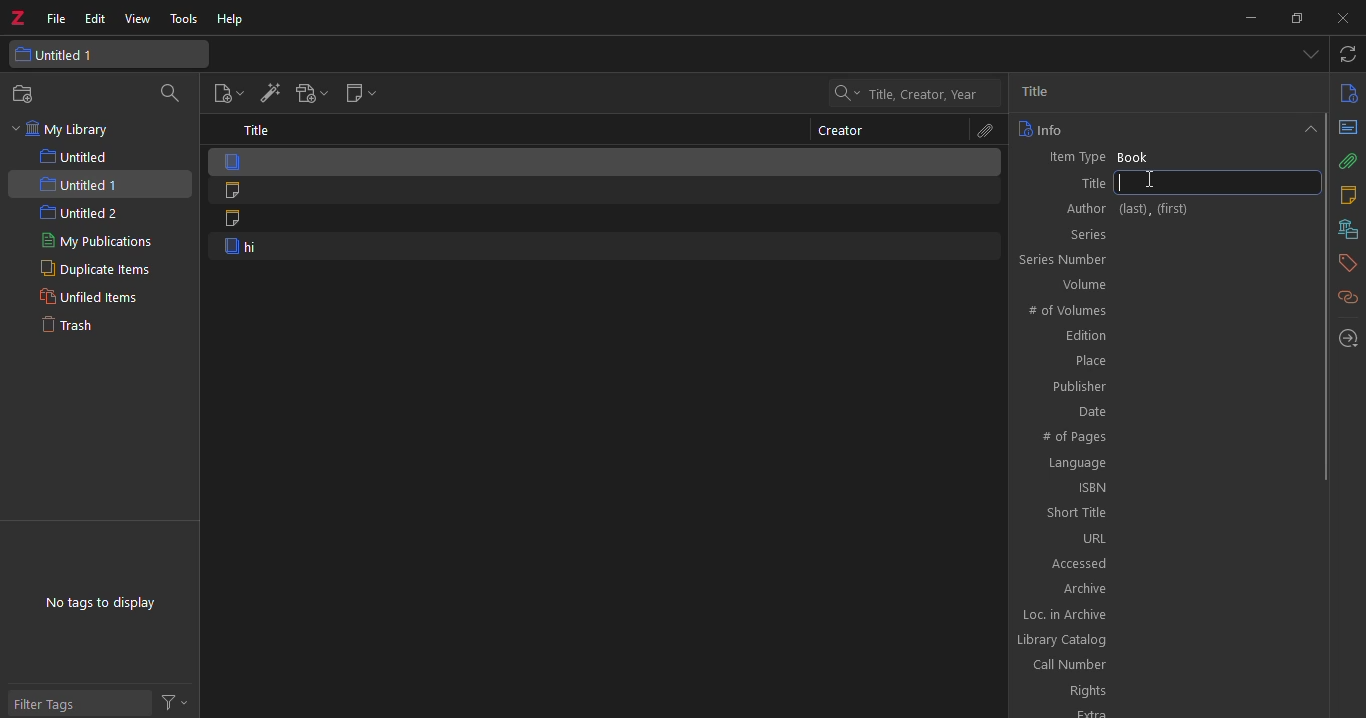 This screenshot has width=1366, height=718. Describe the element at coordinates (1169, 512) in the screenshot. I see `Short title` at that location.